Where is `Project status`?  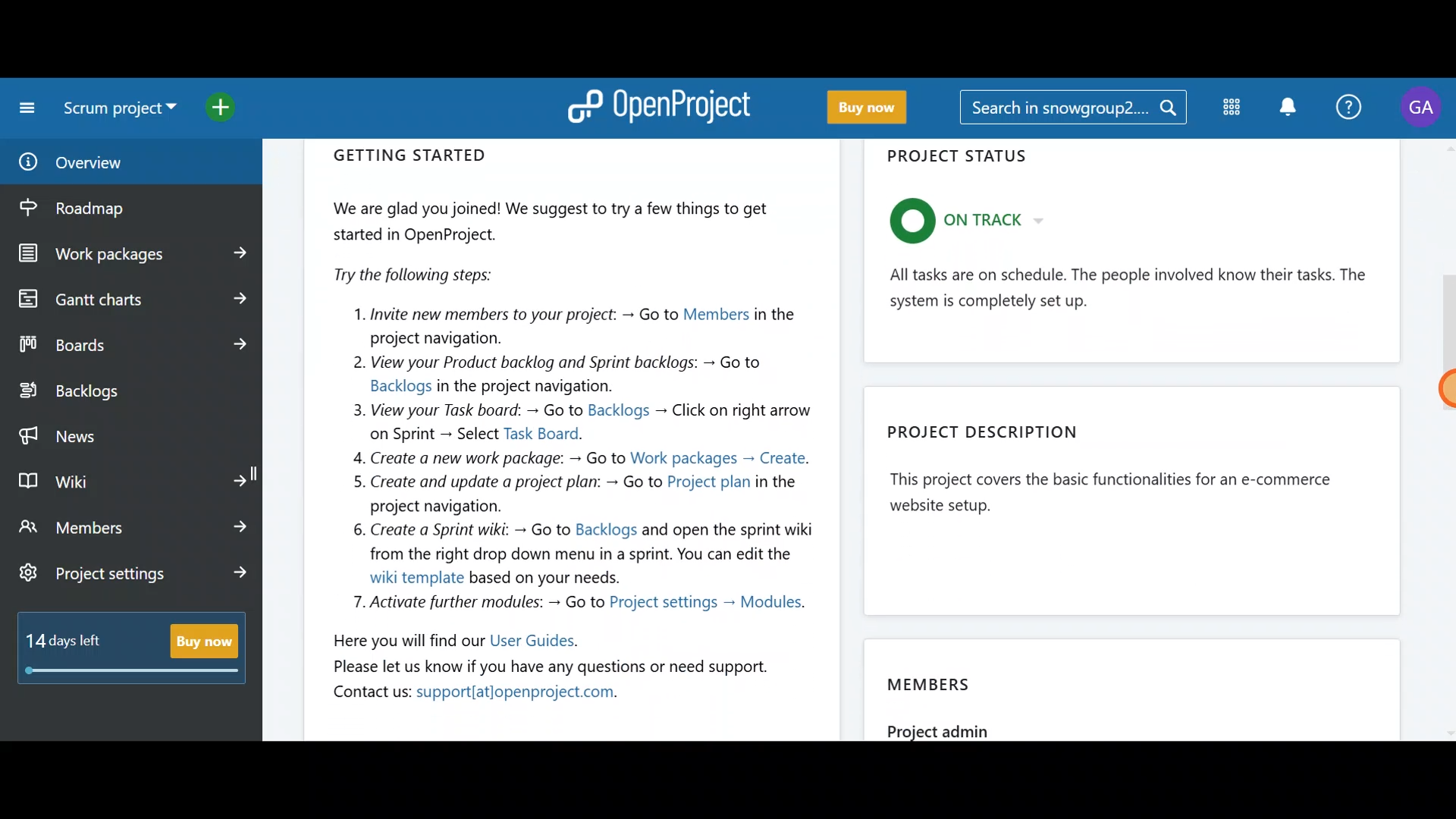 Project status is located at coordinates (1134, 256).